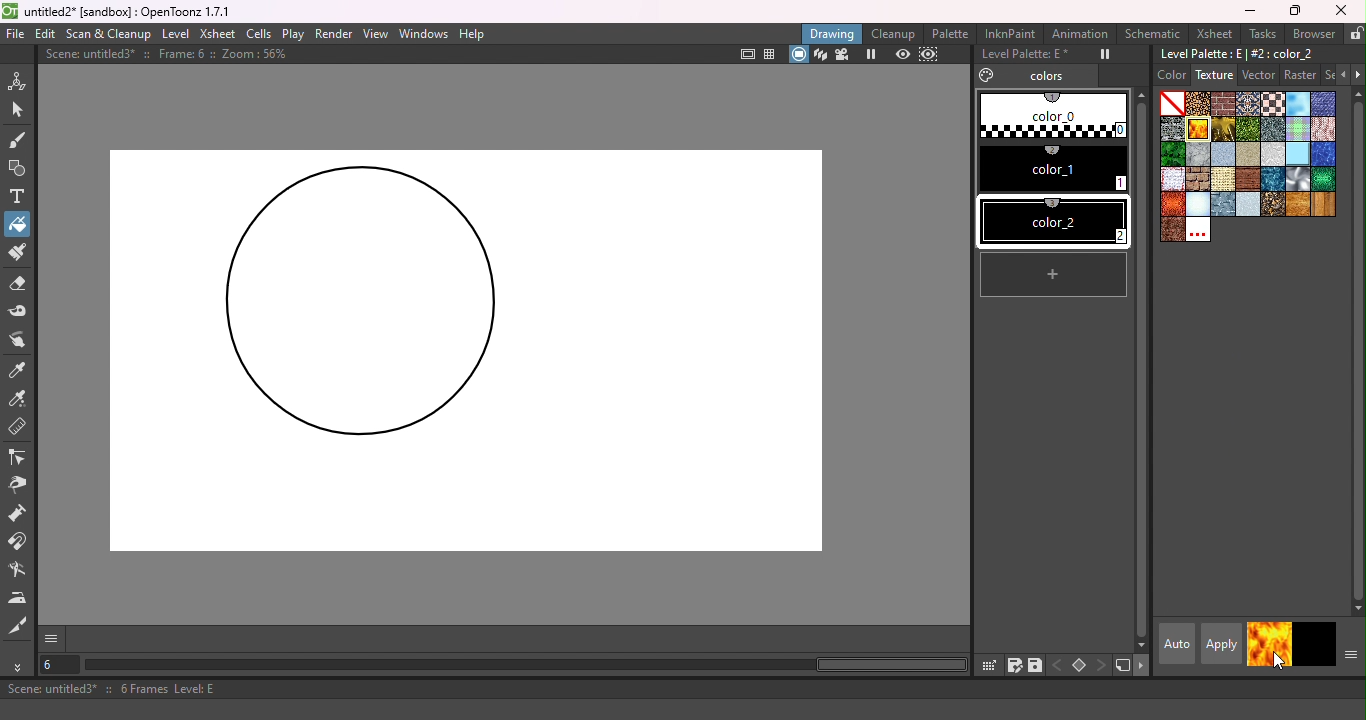  What do you see at coordinates (1199, 180) in the screenshot?
I see `roughbrickwork.bmp` at bounding box center [1199, 180].